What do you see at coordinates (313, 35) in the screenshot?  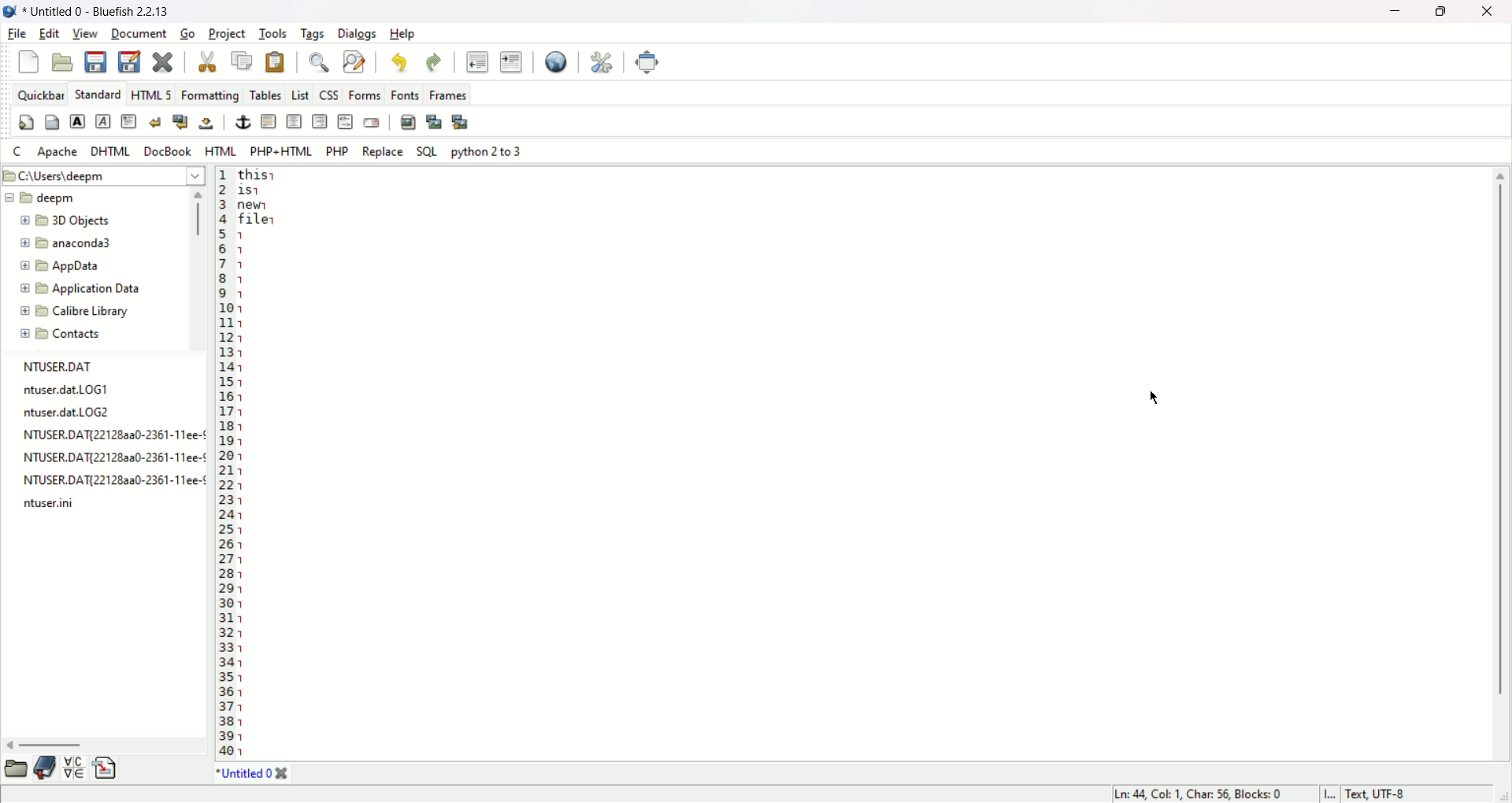 I see `tags` at bounding box center [313, 35].